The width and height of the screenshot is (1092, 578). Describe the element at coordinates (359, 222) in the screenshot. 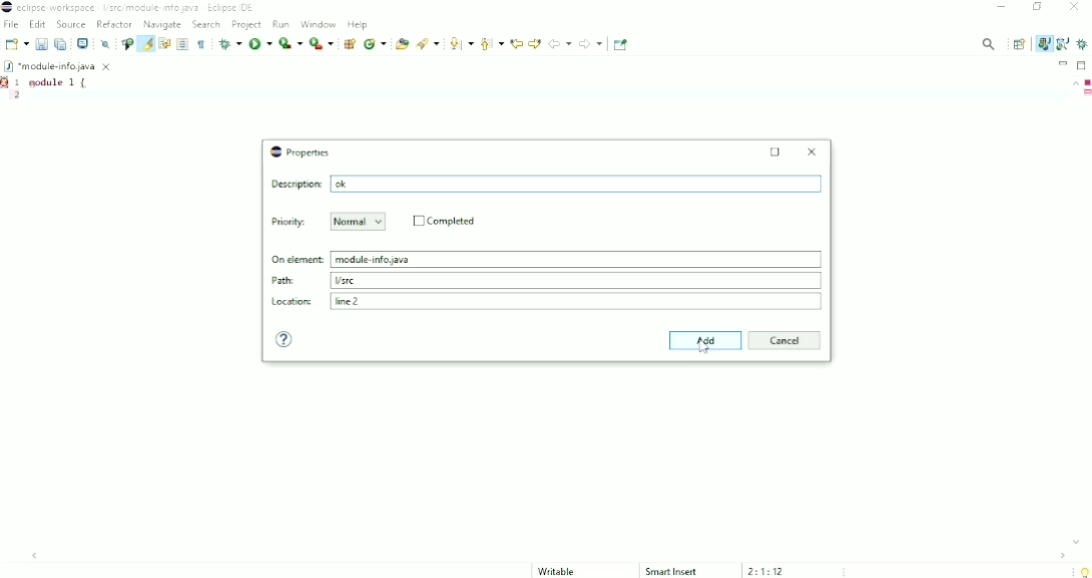

I see `Normal` at that location.